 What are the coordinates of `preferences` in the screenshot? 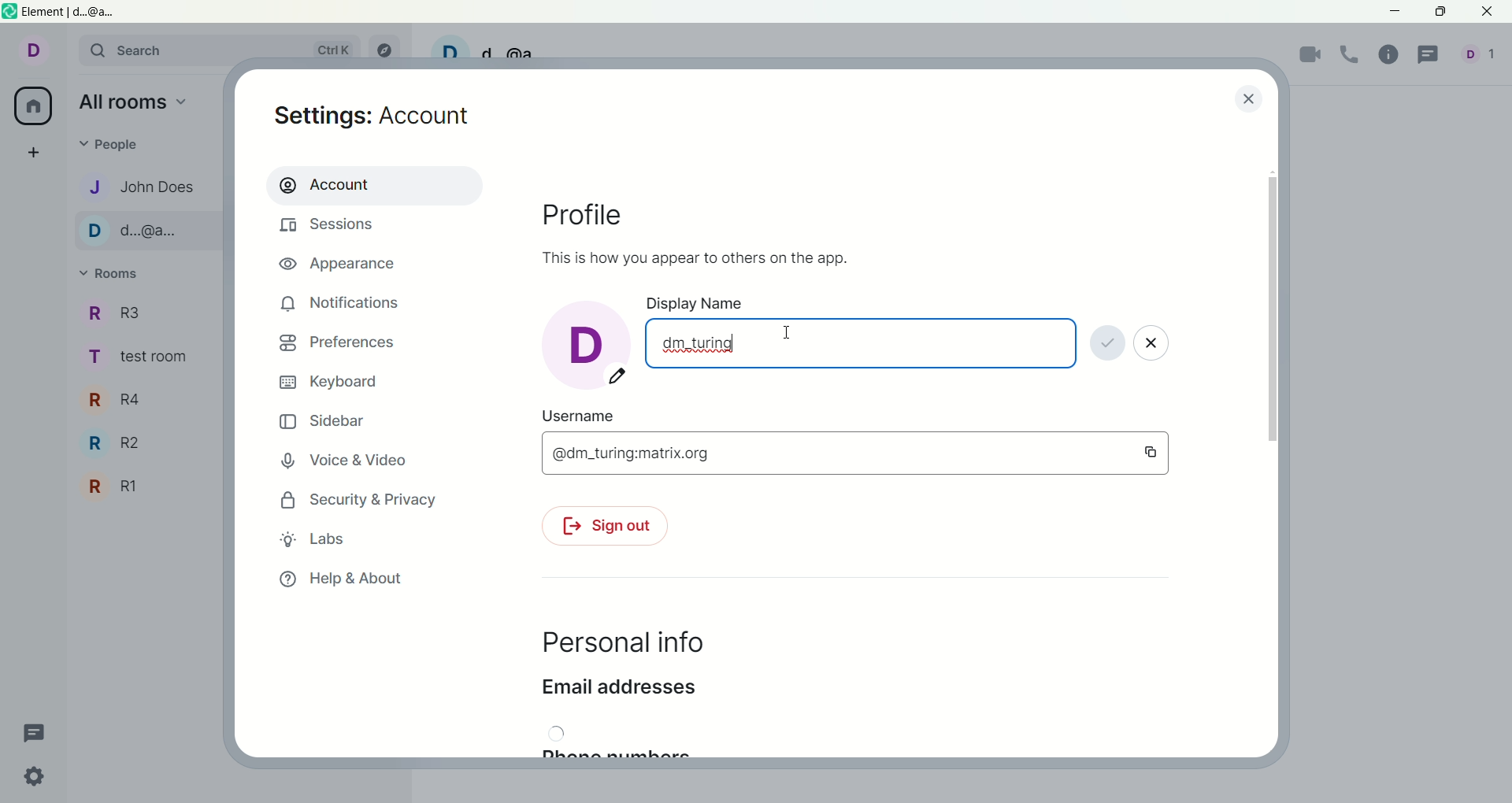 It's located at (337, 346).